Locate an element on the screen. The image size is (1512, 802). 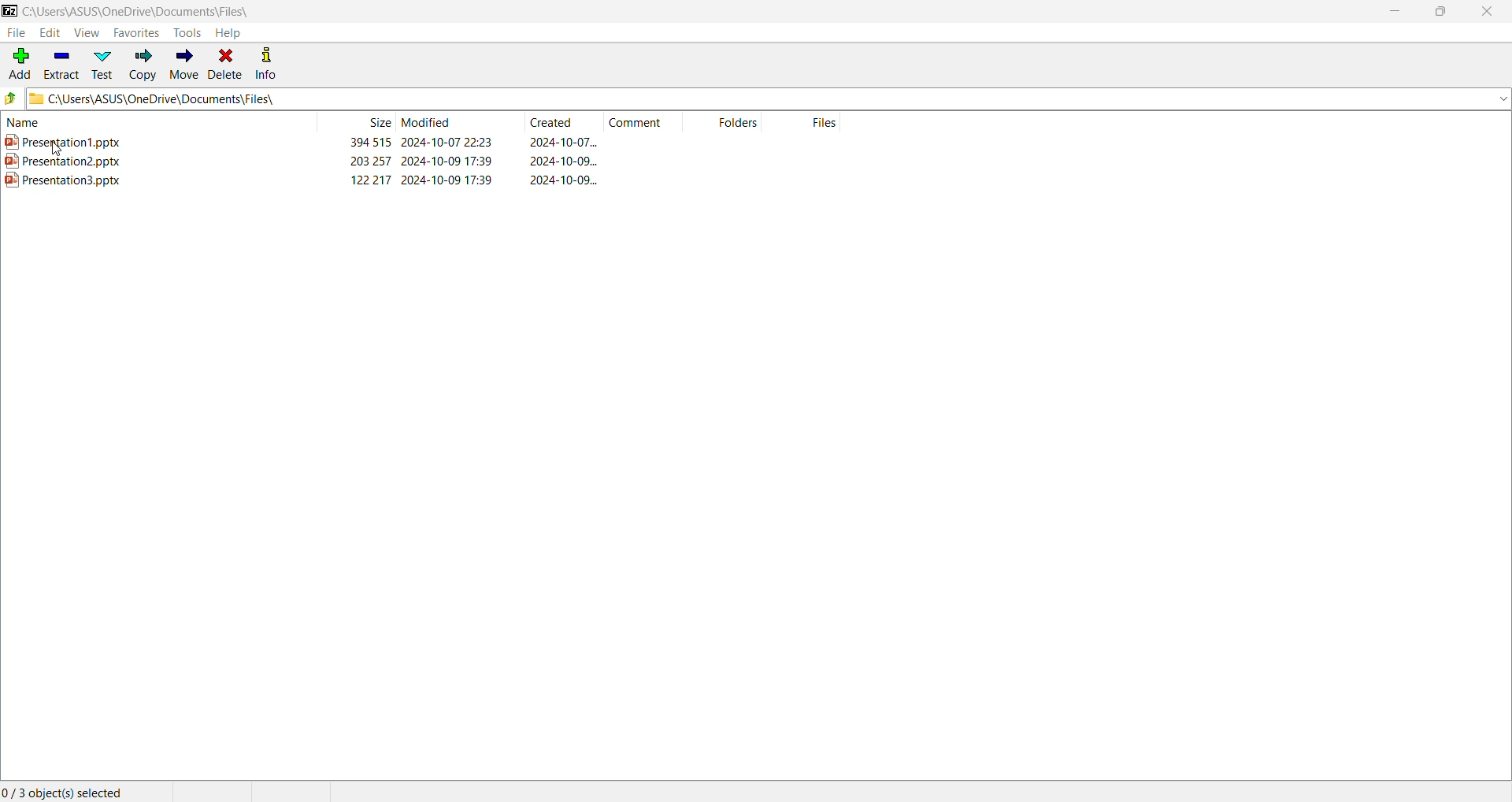
Move is located at coordinates (182, 65).